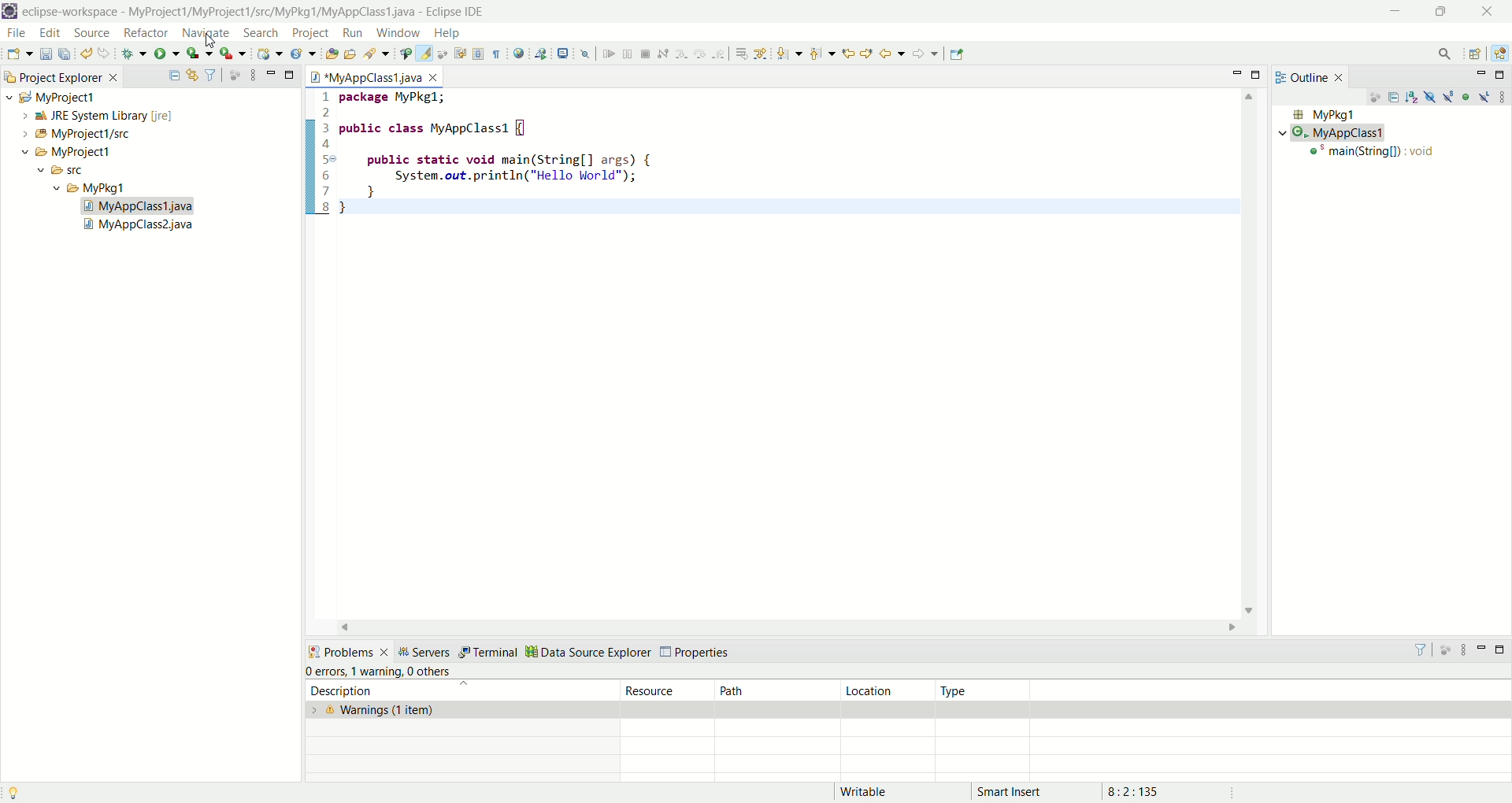  Describe the element at coordinates (135, 56) in the screenshot. I see `debug` at that location.